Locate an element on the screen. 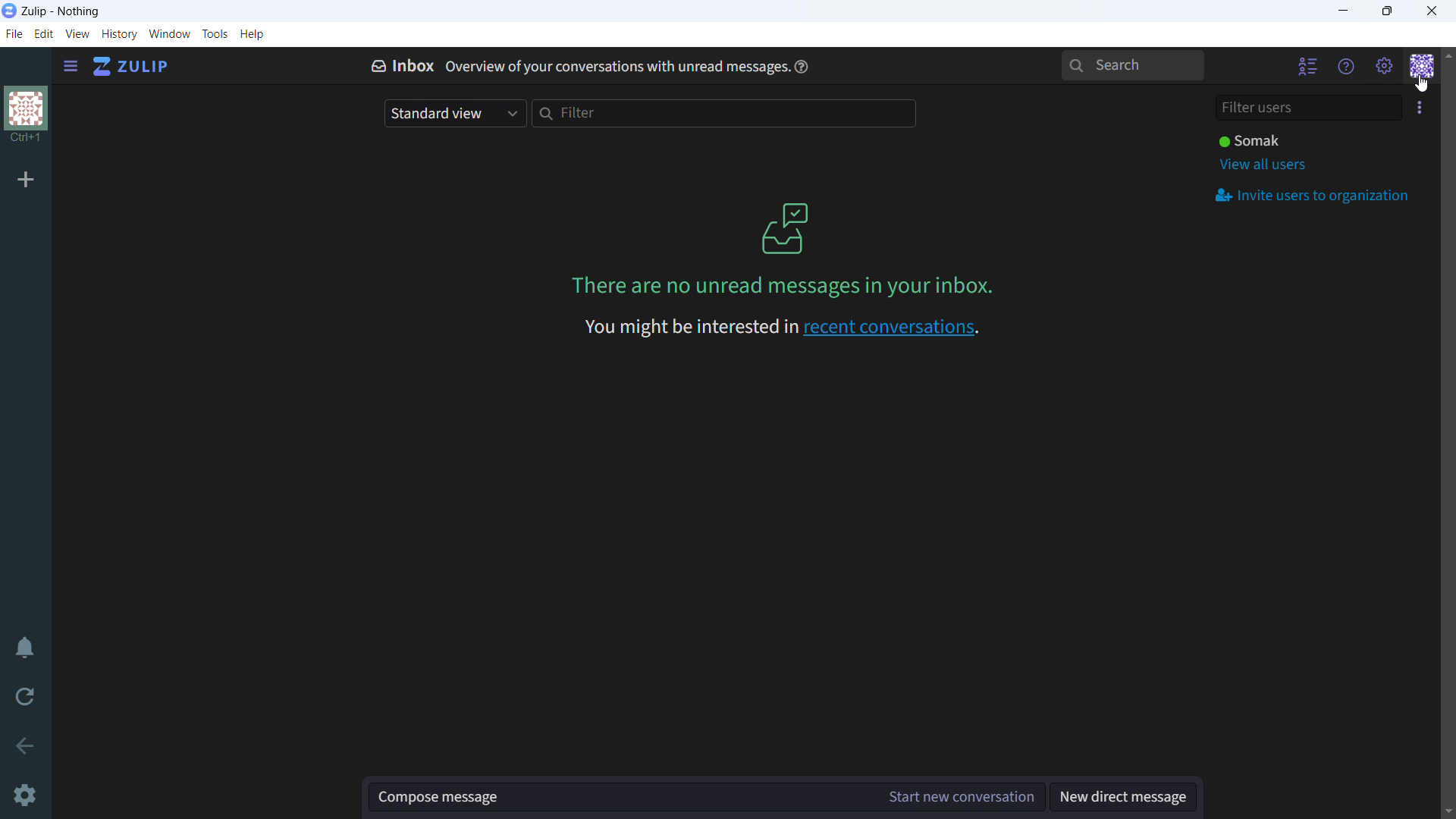 The width and height of the screenshot is (1456, 819). recent conversations is located at coordinates (778, 328).